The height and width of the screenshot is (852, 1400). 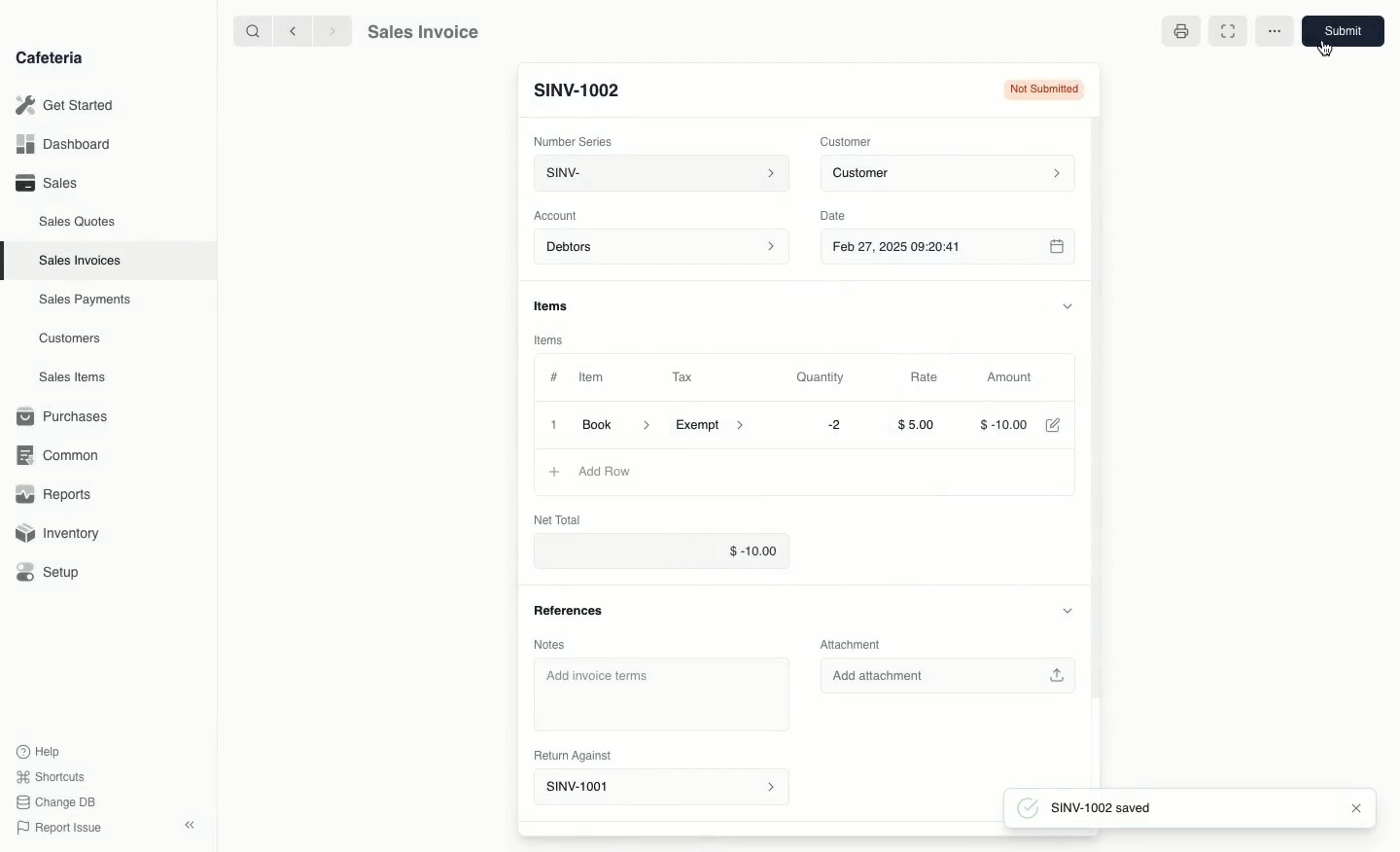 I want to click on Reports, so click(x=53, y=492).